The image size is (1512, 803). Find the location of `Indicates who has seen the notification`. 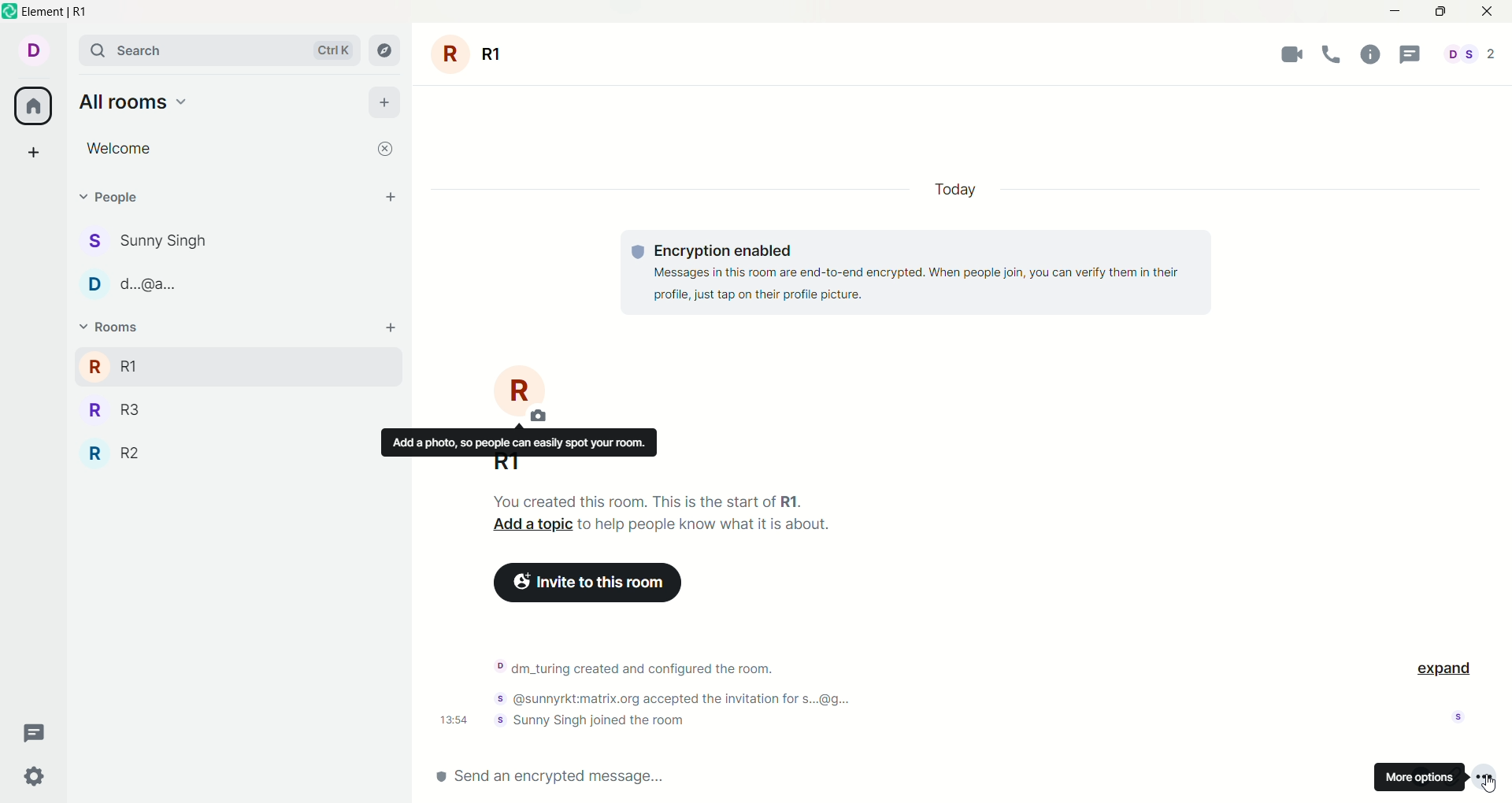

Indicates who has seen the notification is located at coordinates (1458, 716).